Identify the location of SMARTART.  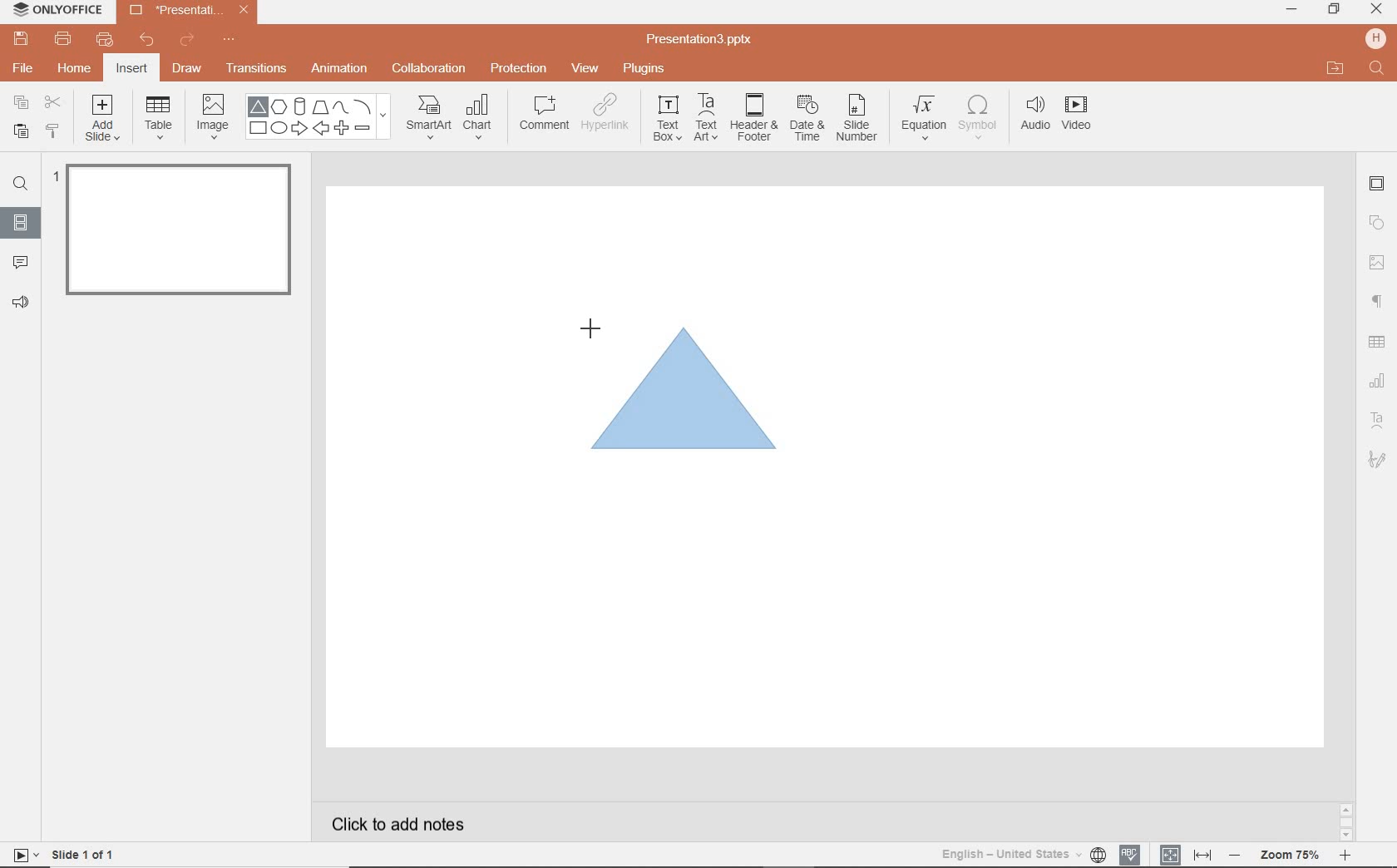
(429, 123).